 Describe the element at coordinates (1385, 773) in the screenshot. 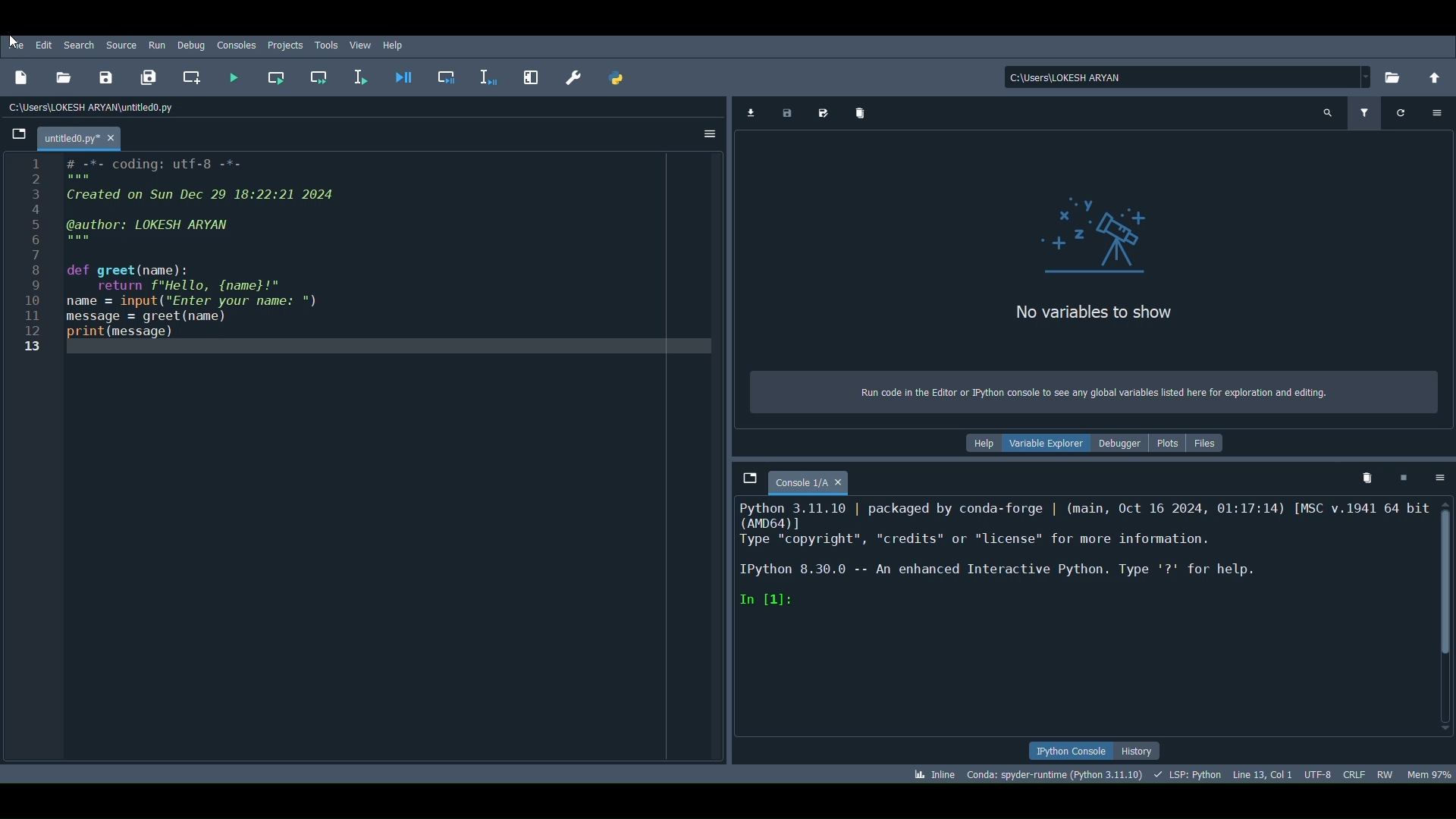

I see `File permissions` at that location.